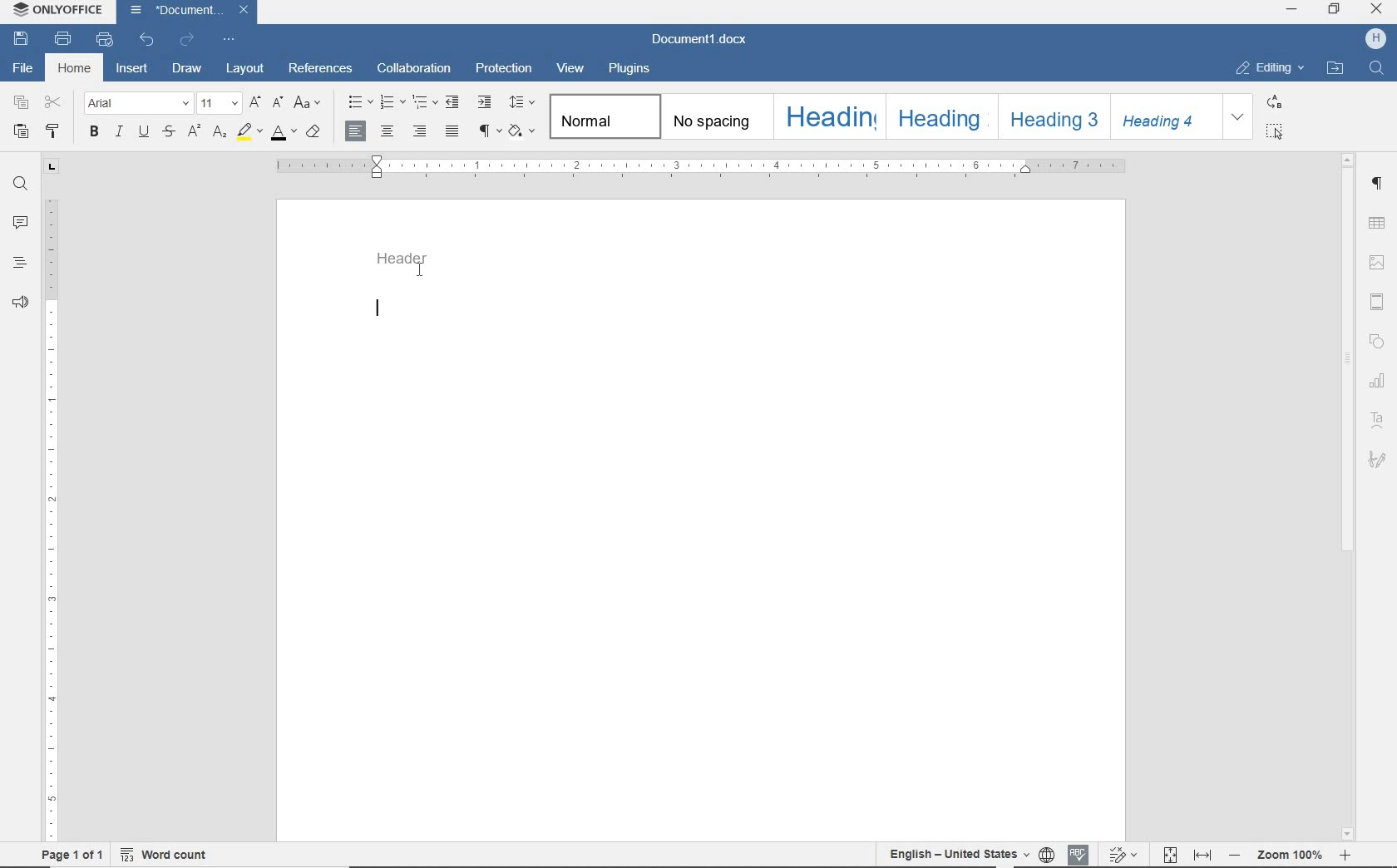  I want to click on feedback & support, so click(18, 303).